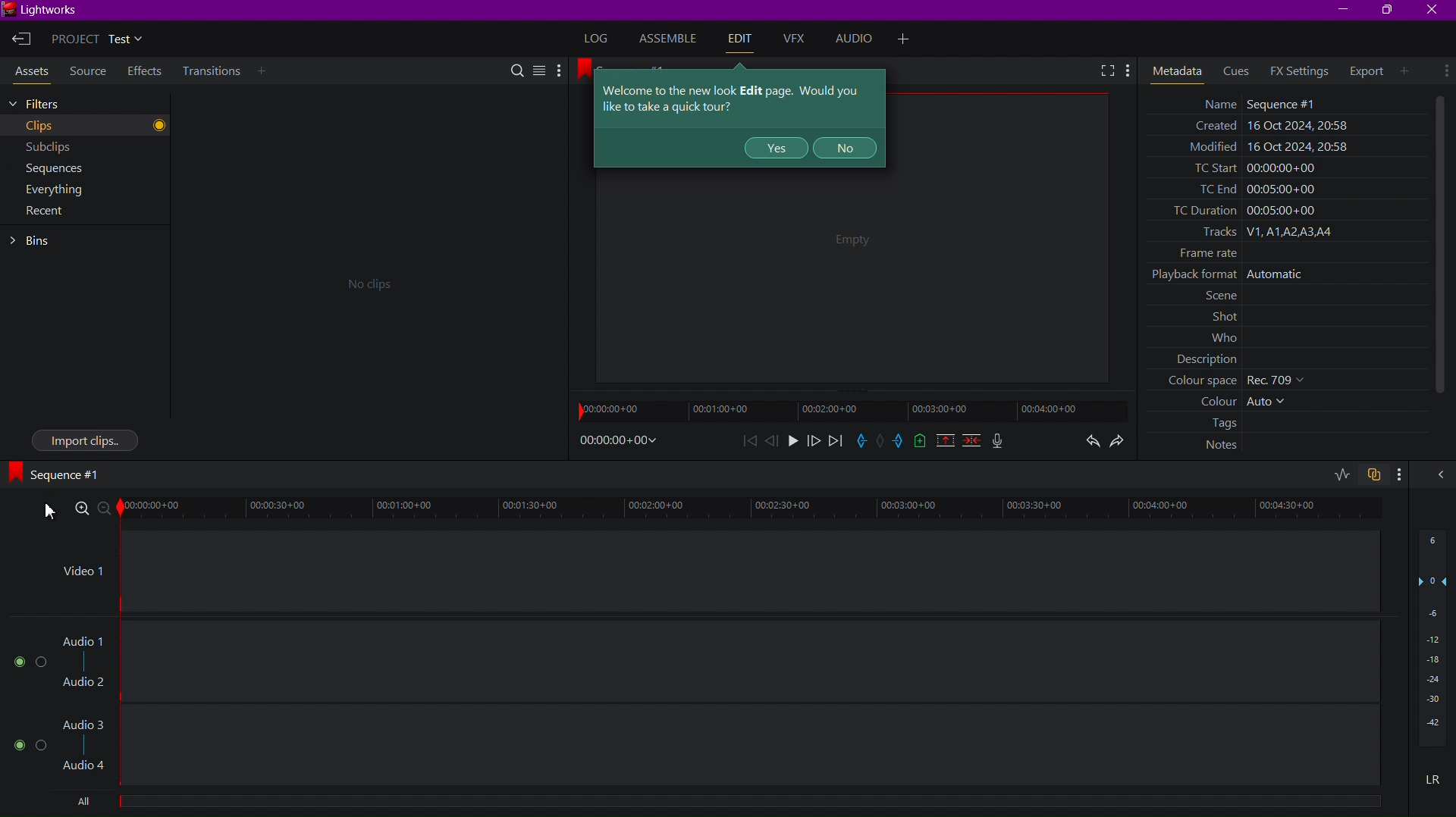  I want to click on Source, so click(87, 70).